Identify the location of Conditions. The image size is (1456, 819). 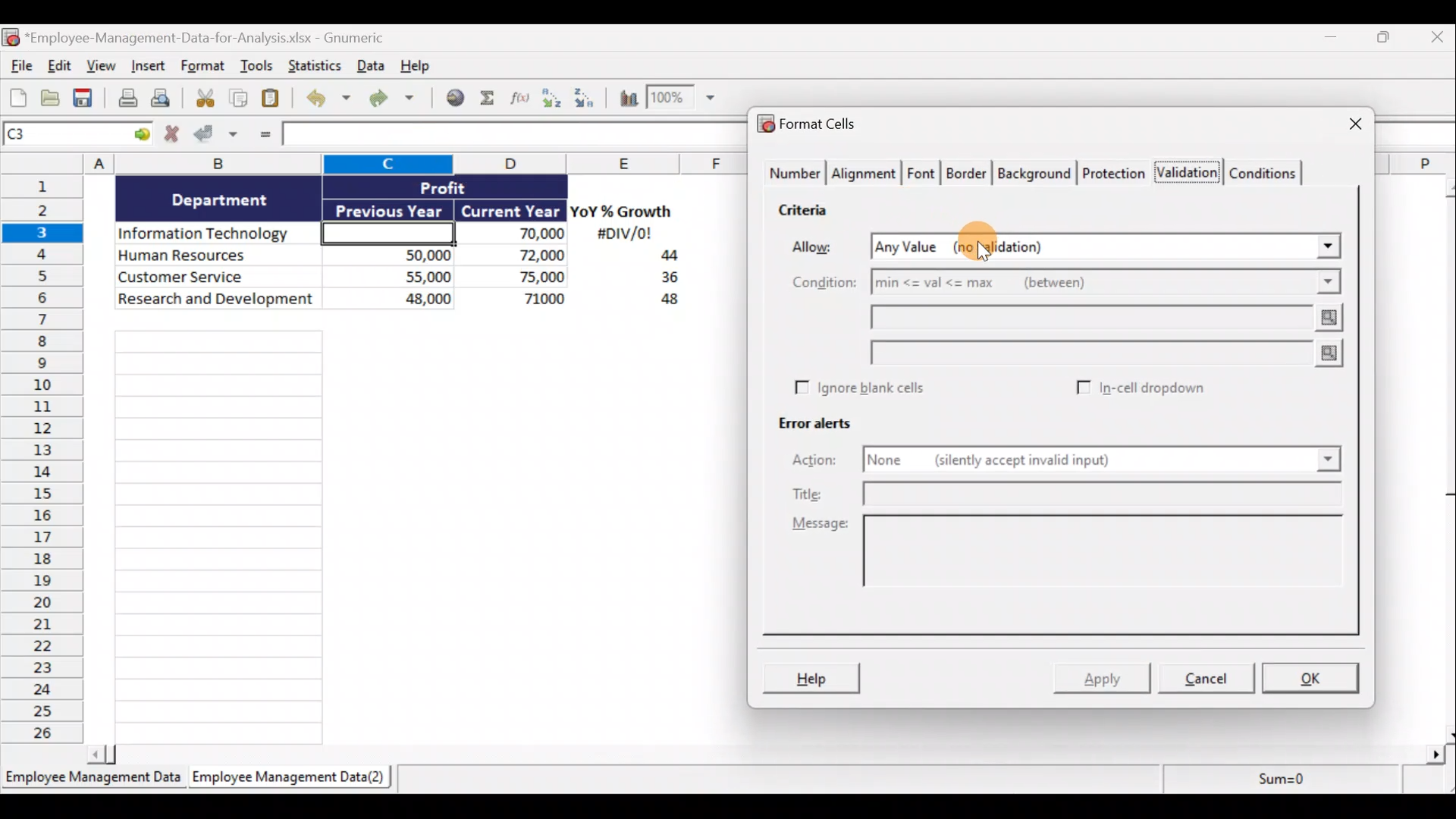
(1268, 172).